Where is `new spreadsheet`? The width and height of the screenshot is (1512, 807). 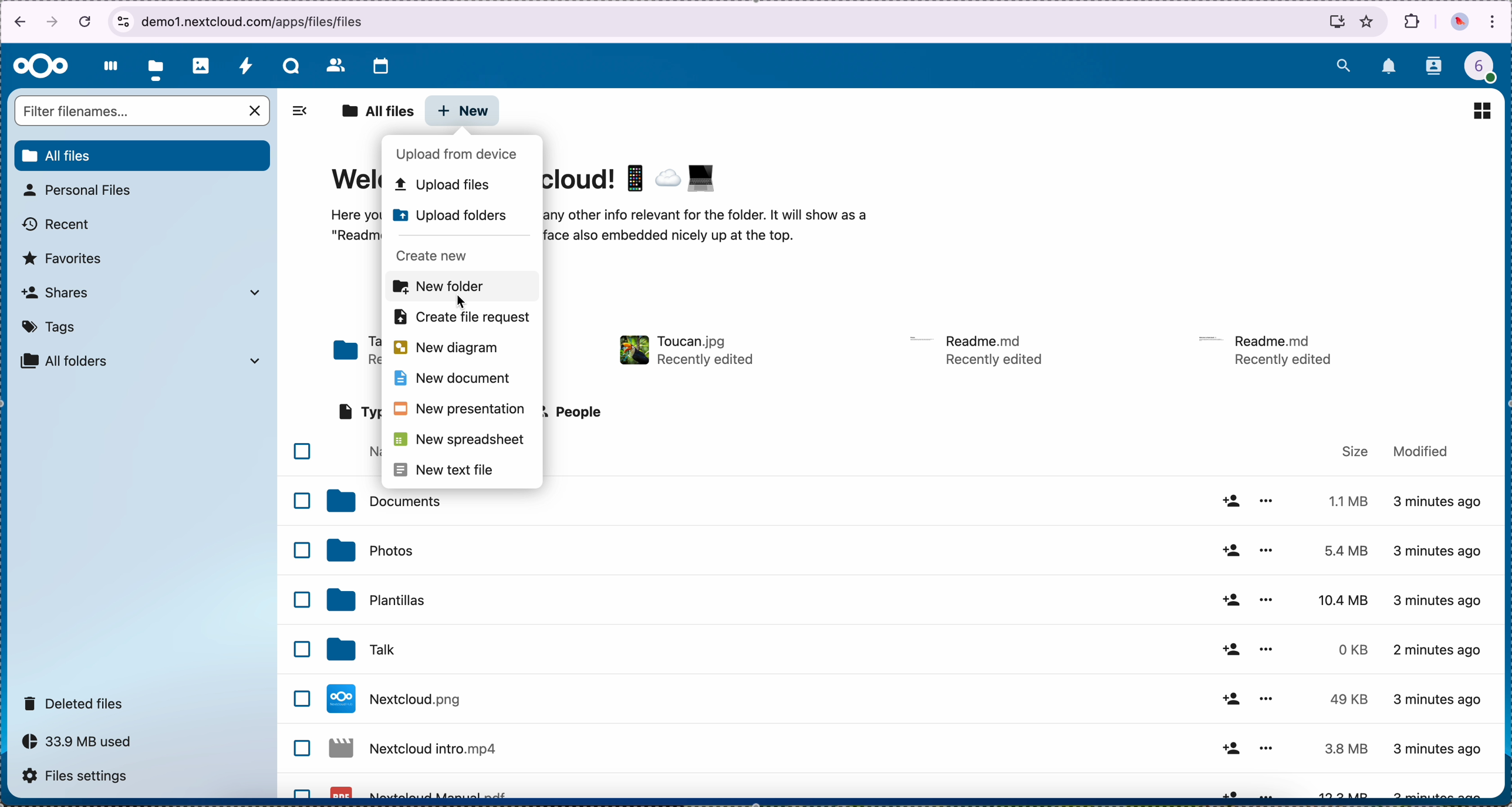 new spreadsheet is located at coordinates (461, 443).